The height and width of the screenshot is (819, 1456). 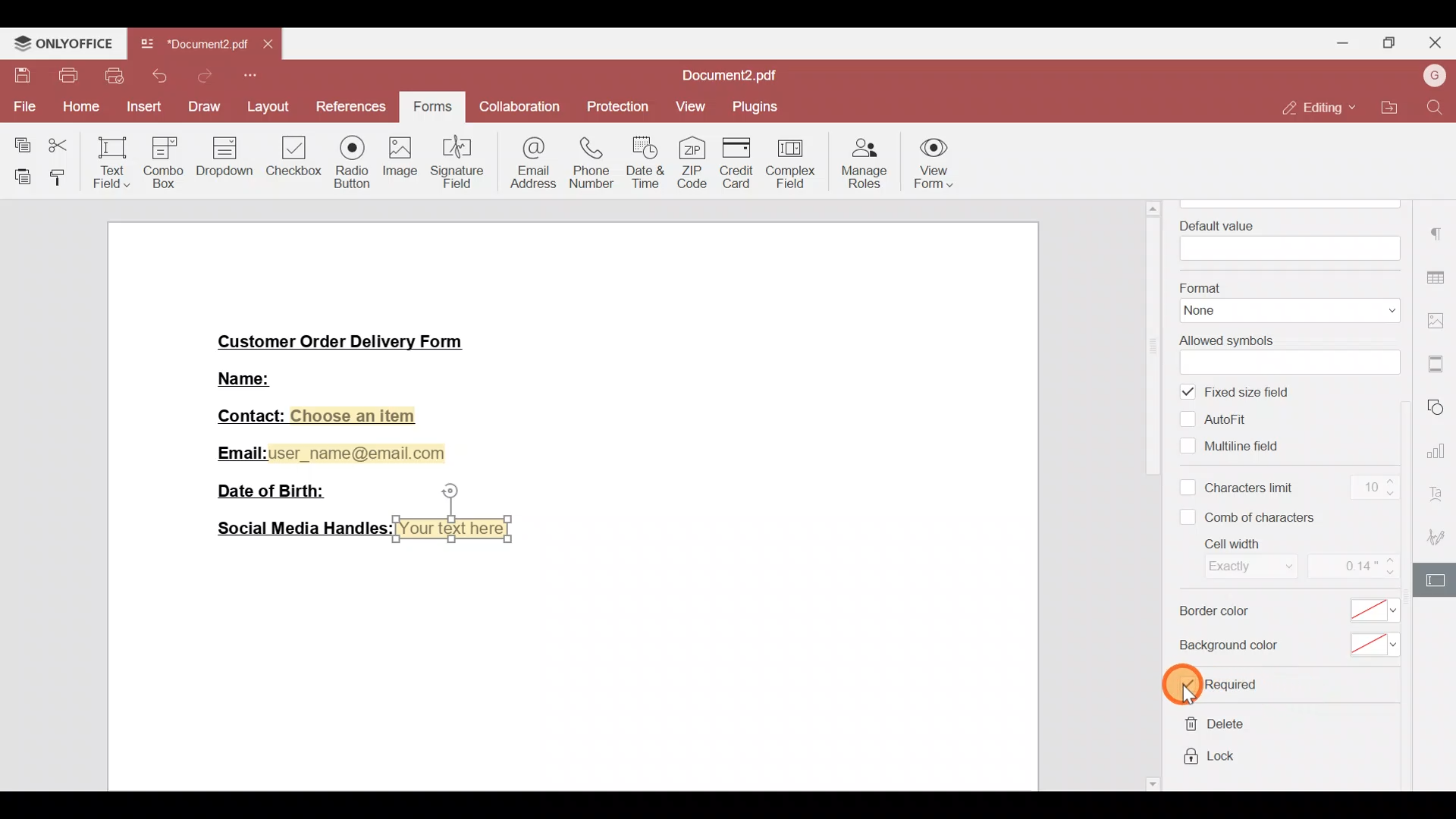 I want to click on Maximize, so click(x=1395, y=42).